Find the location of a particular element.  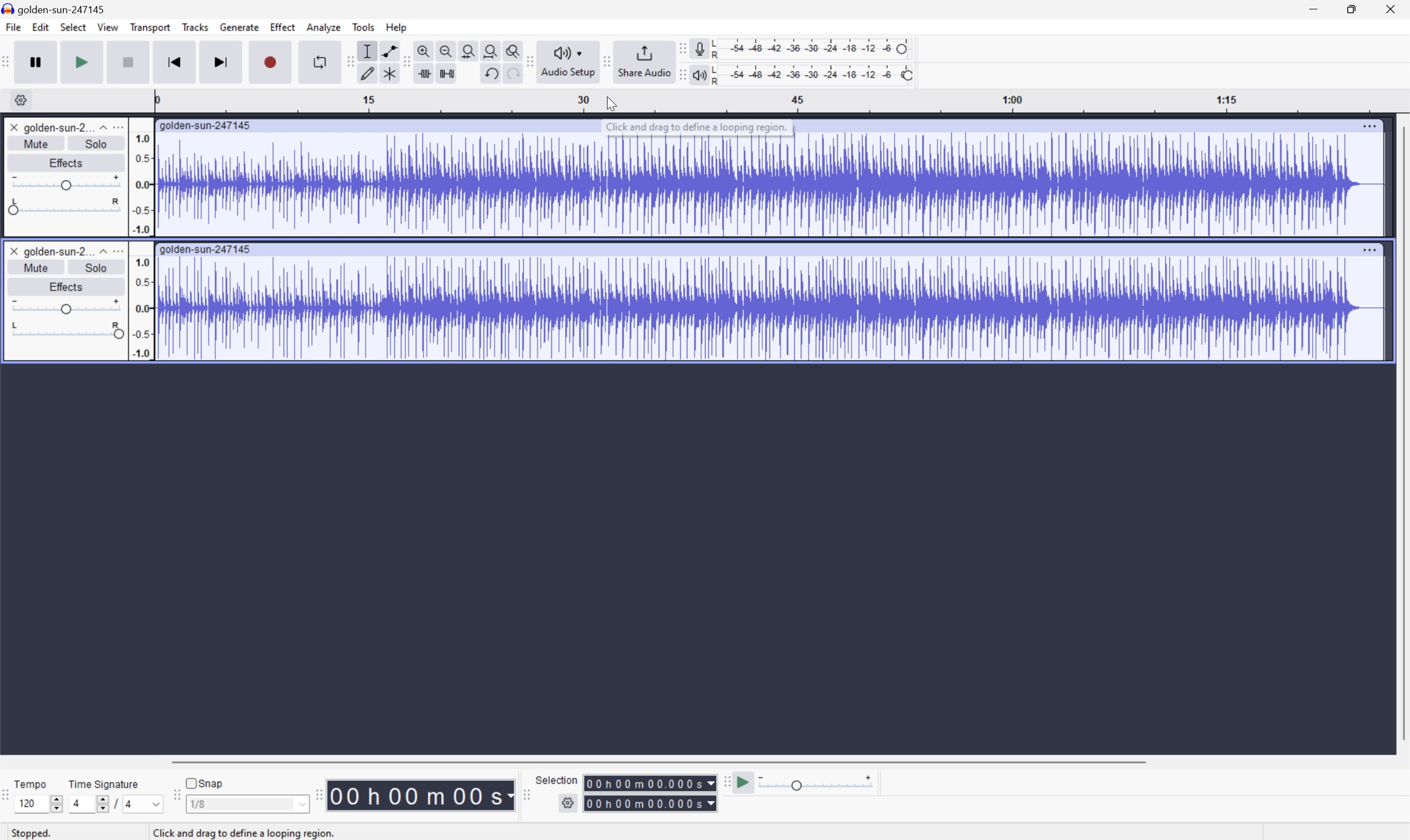

golden-sun-2... is located at coordinates (55, 253).